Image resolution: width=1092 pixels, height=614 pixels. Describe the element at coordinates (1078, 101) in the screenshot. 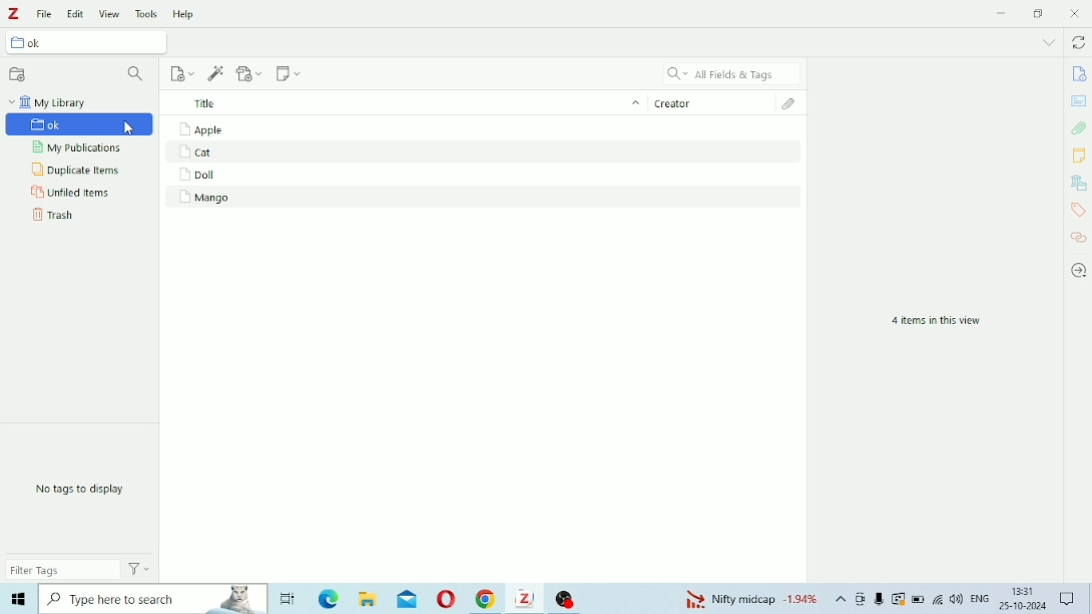

I see `Abstract` at that location.